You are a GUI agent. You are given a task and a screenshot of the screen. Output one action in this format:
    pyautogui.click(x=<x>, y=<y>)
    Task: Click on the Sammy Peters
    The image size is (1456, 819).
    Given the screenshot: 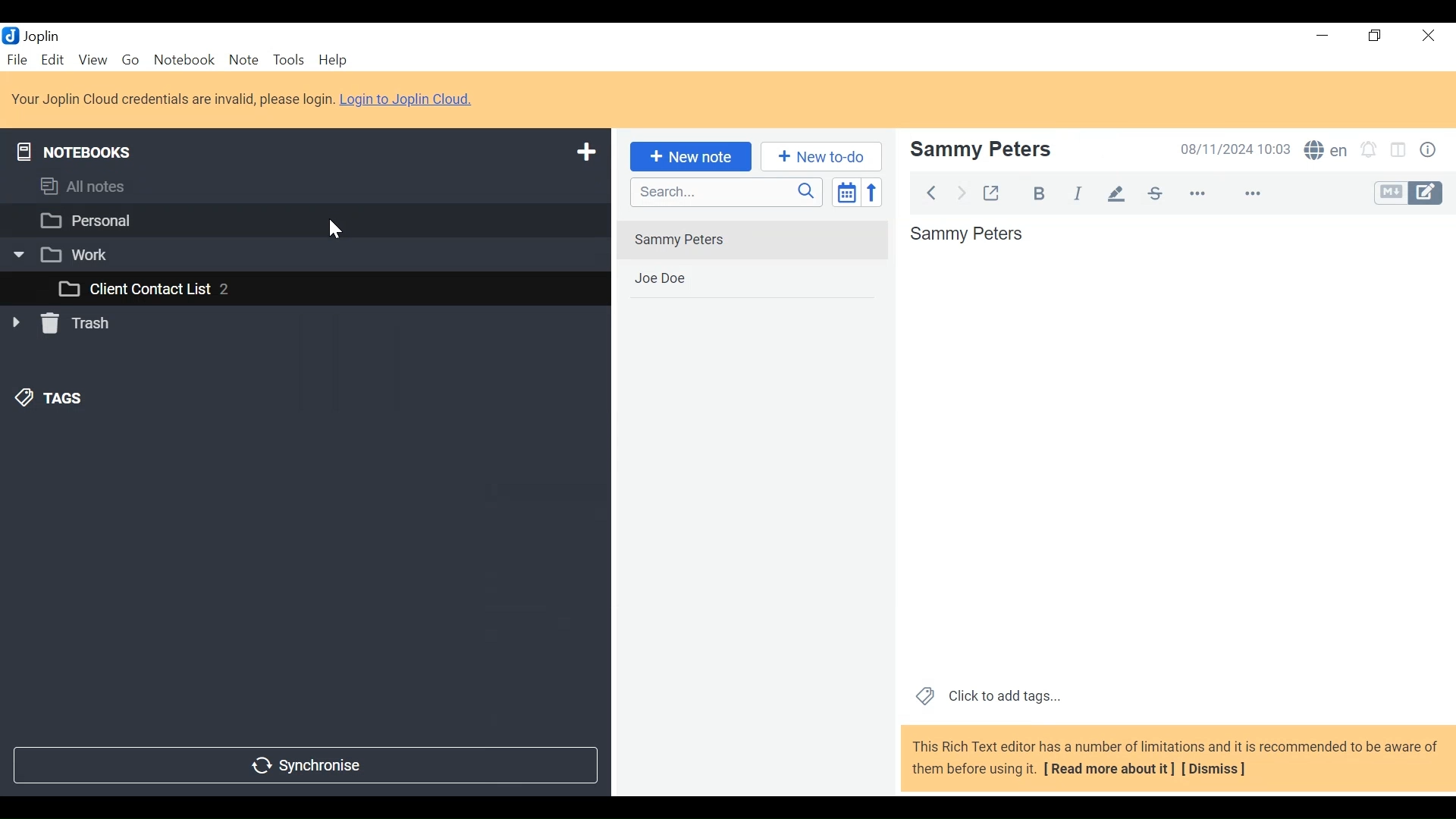 What is the action you would take?
    pyautogui.click(x=969, y=237)
    